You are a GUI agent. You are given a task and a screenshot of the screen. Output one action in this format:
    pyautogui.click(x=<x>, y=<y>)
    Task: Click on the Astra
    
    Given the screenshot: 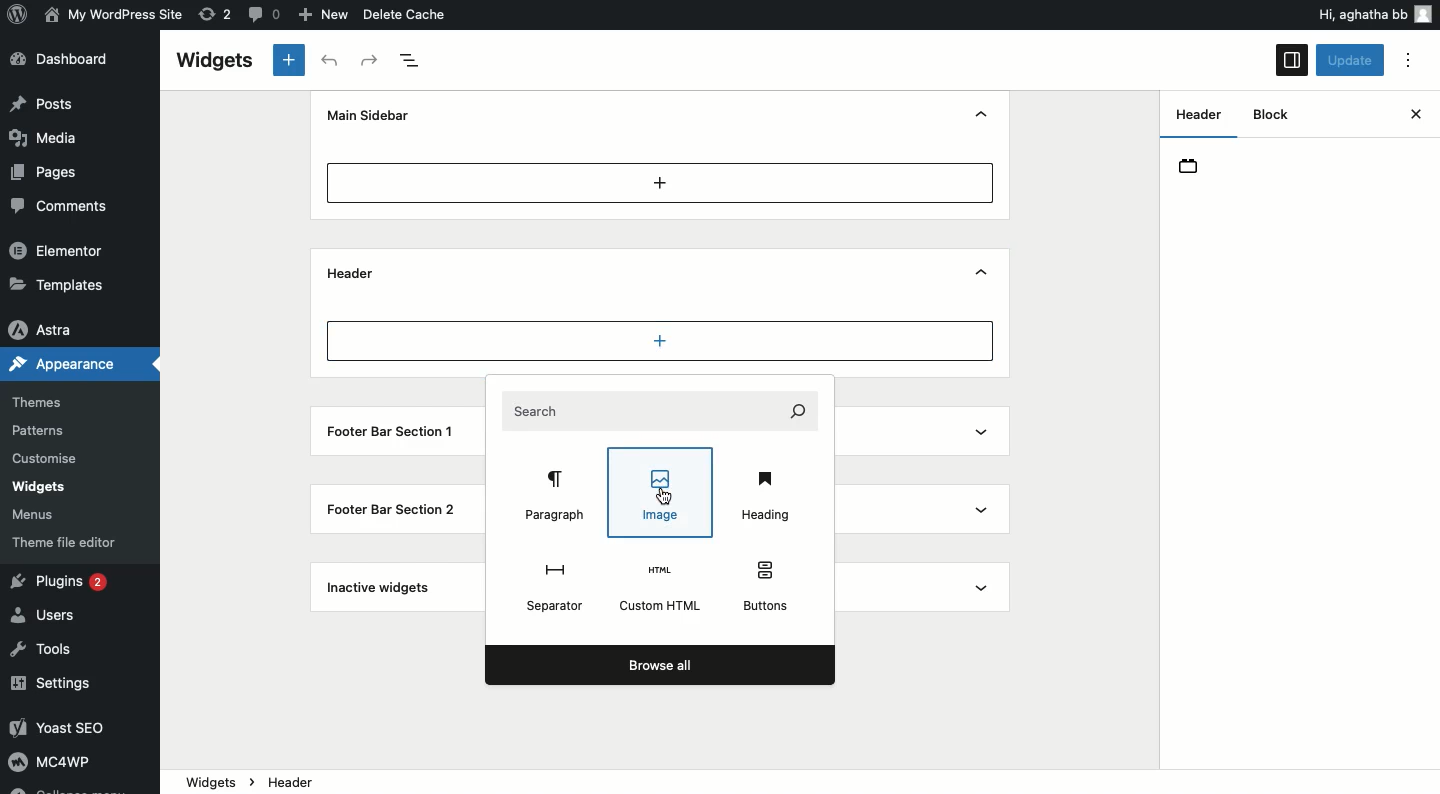 What is the action you would take?
    pyautogui.click(x=44, y=331)
    